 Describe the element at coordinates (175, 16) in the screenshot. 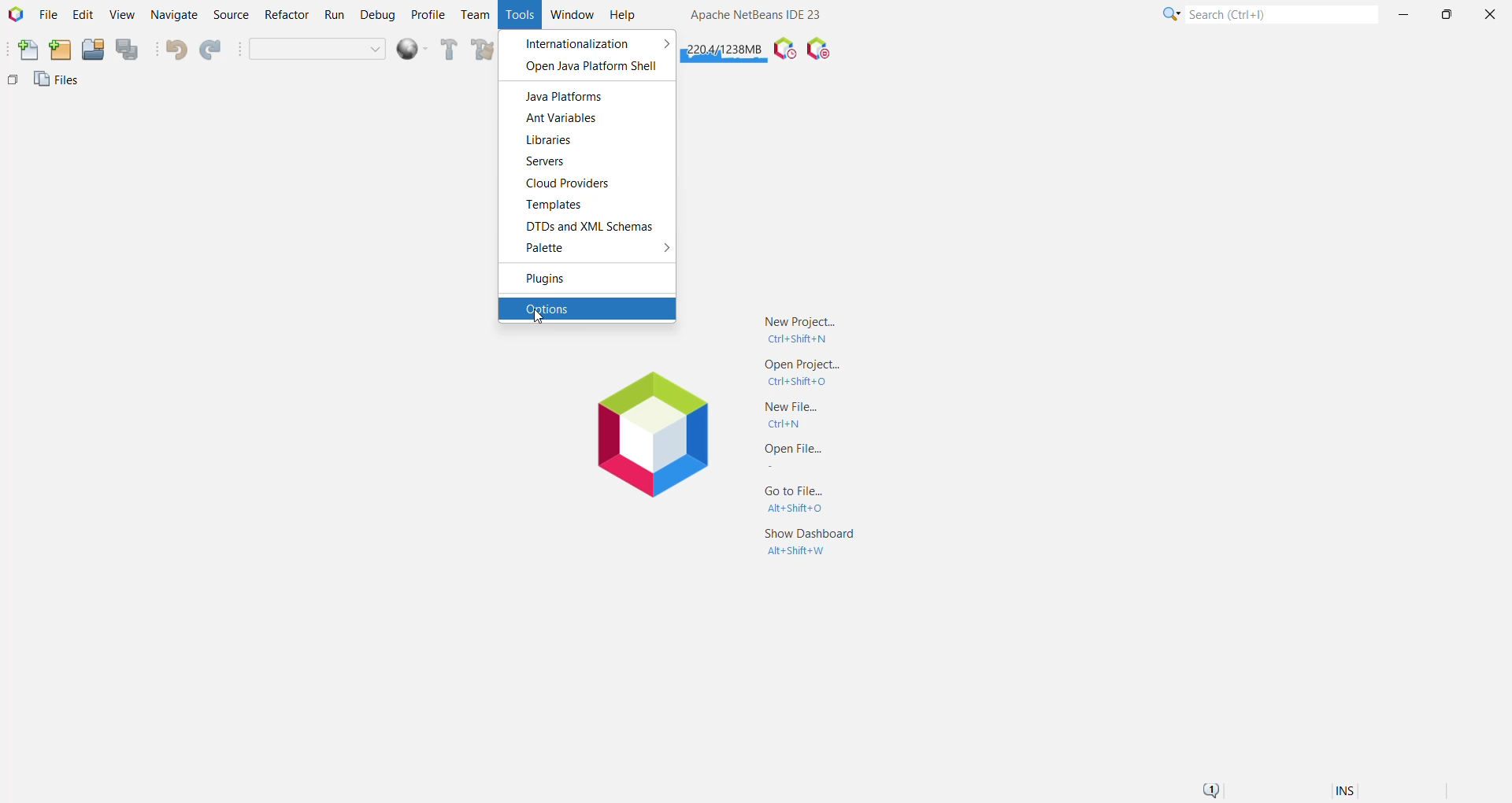

I see `Navigate` at that location.